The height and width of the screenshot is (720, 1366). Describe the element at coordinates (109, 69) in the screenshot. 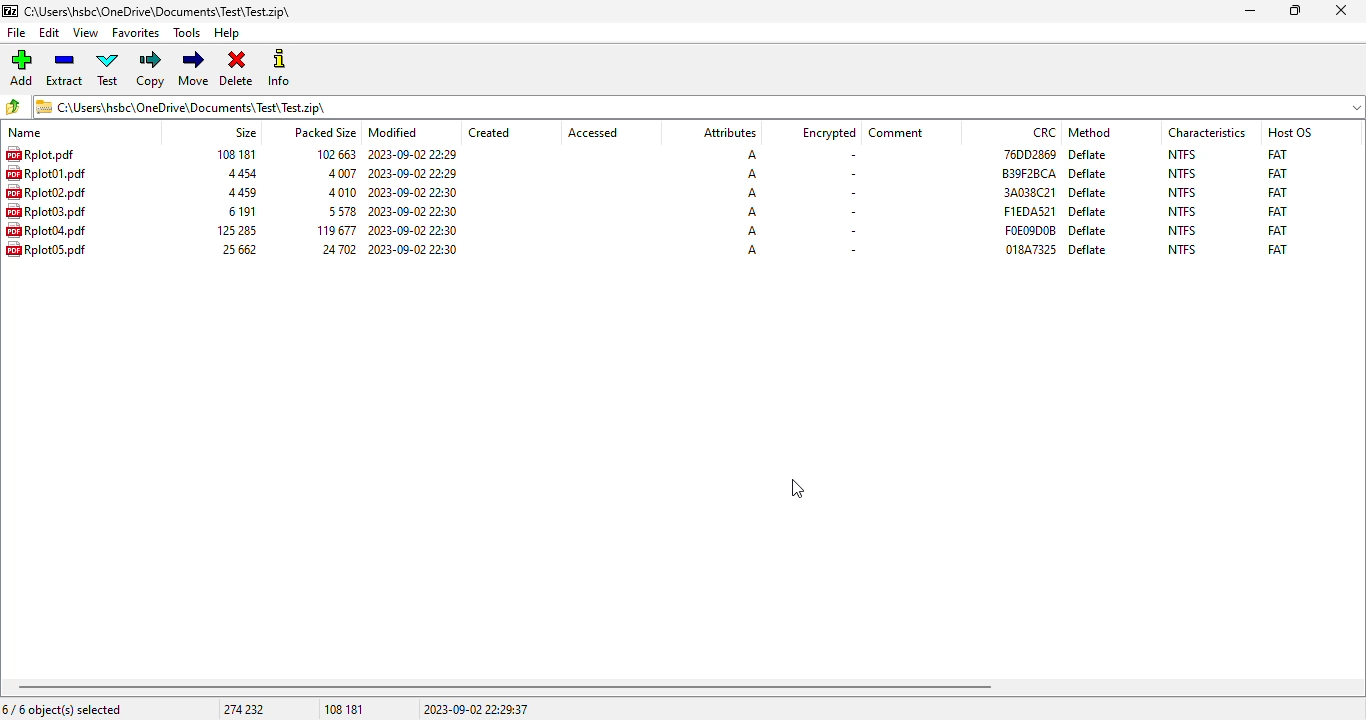

I see `test` at that location.